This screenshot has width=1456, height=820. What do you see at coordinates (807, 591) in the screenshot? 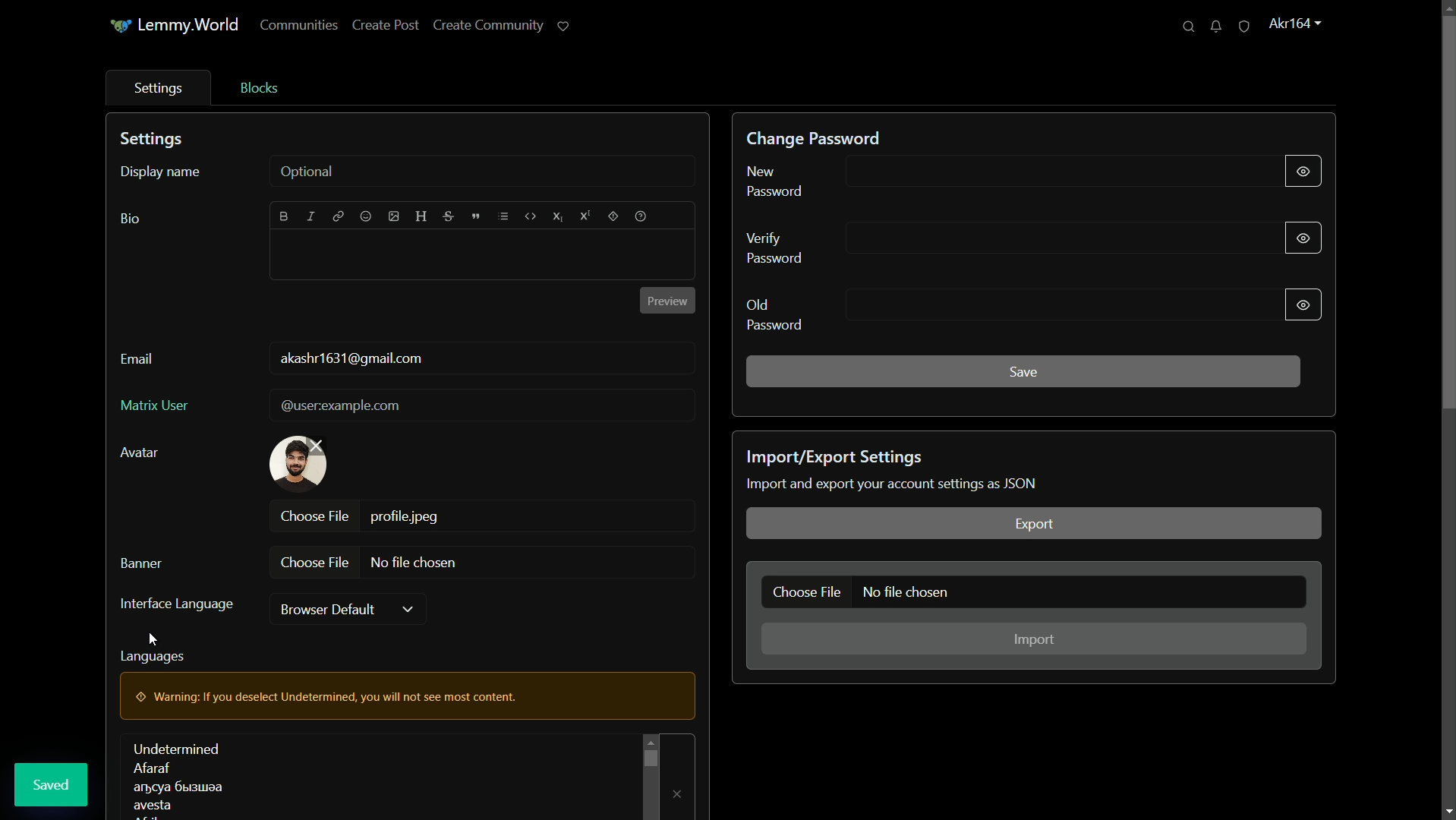
I see `choose file` at bounding box center [807, 591].